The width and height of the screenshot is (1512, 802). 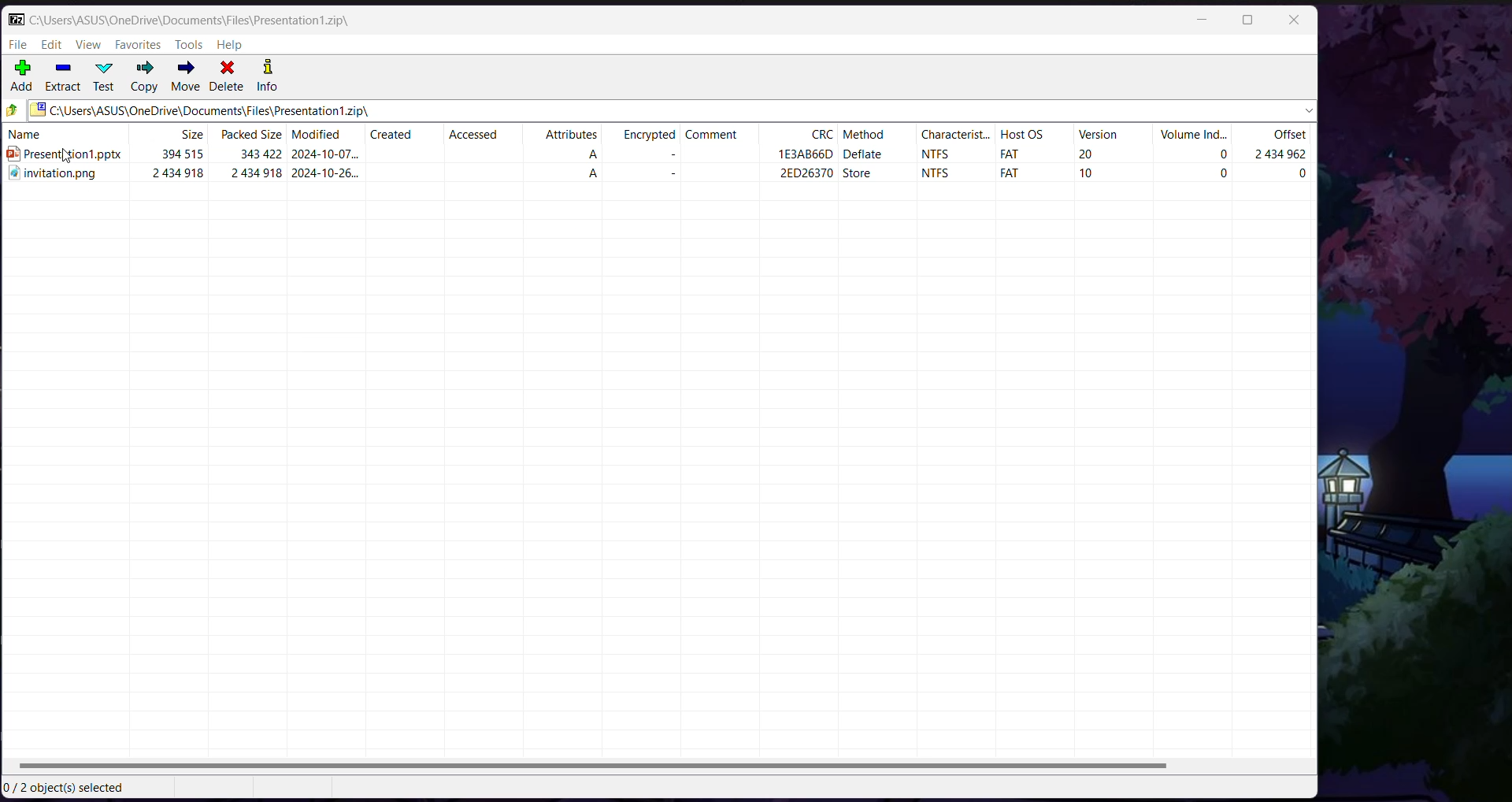 What do you see at coordinates (788, 176) in the screenshot?
I see `2ED26370` at bounding box center [788, 176].